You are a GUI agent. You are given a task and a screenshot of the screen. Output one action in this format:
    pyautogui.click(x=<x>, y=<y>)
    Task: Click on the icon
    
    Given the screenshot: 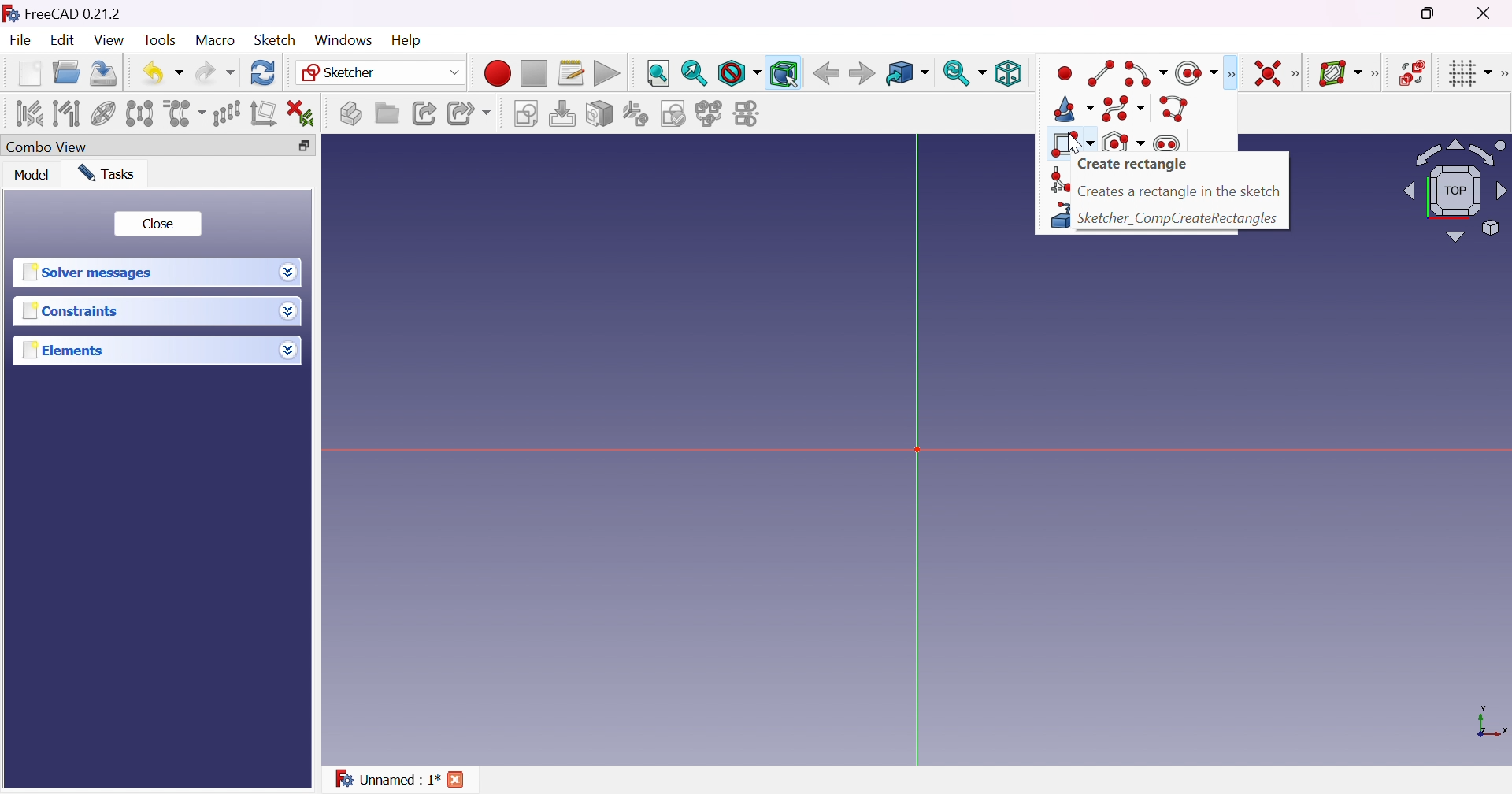 What is the action you would take?
    pyautogui.click(x=10, y=13)
    